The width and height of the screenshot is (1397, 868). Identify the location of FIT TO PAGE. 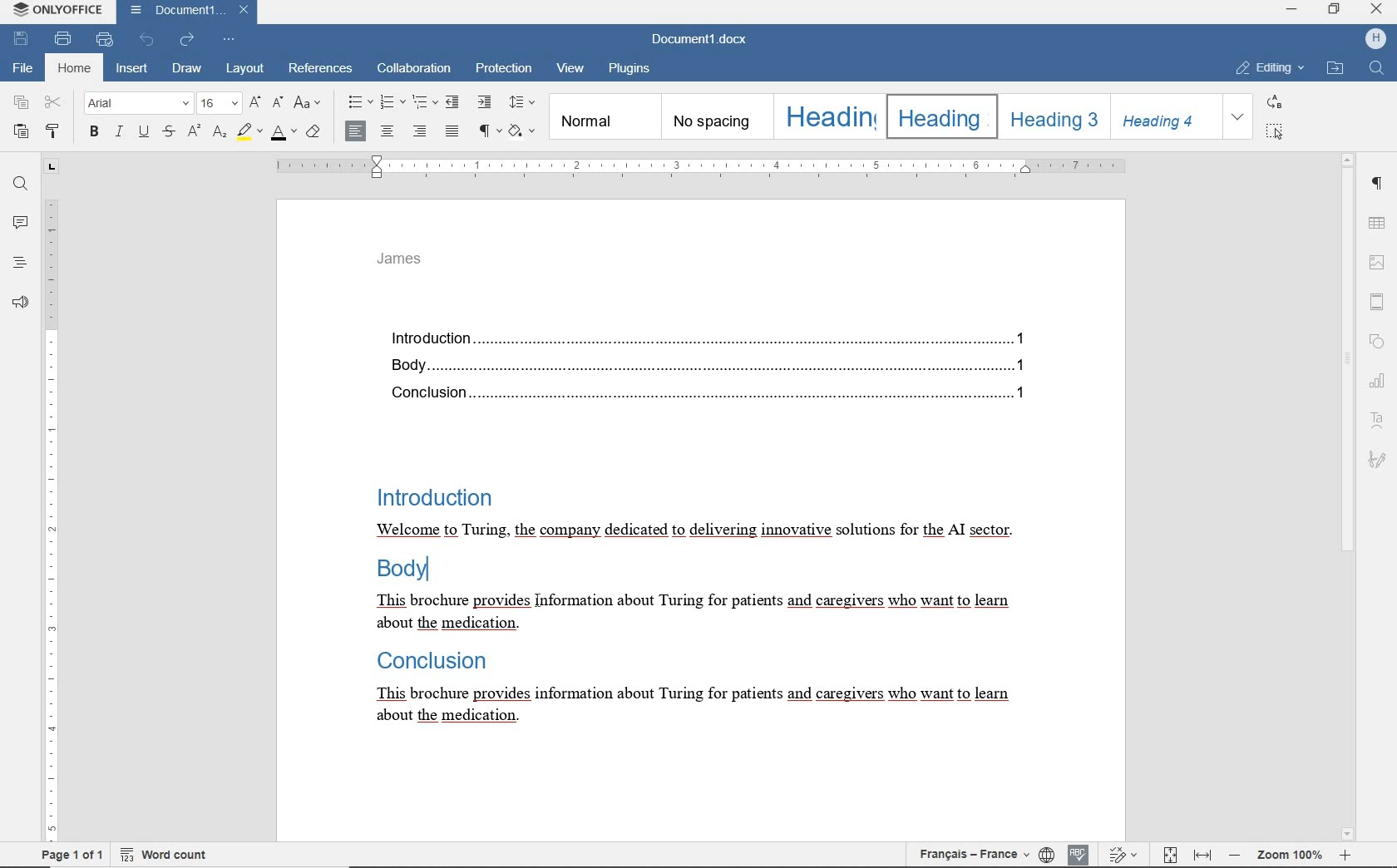
(1167, 854).